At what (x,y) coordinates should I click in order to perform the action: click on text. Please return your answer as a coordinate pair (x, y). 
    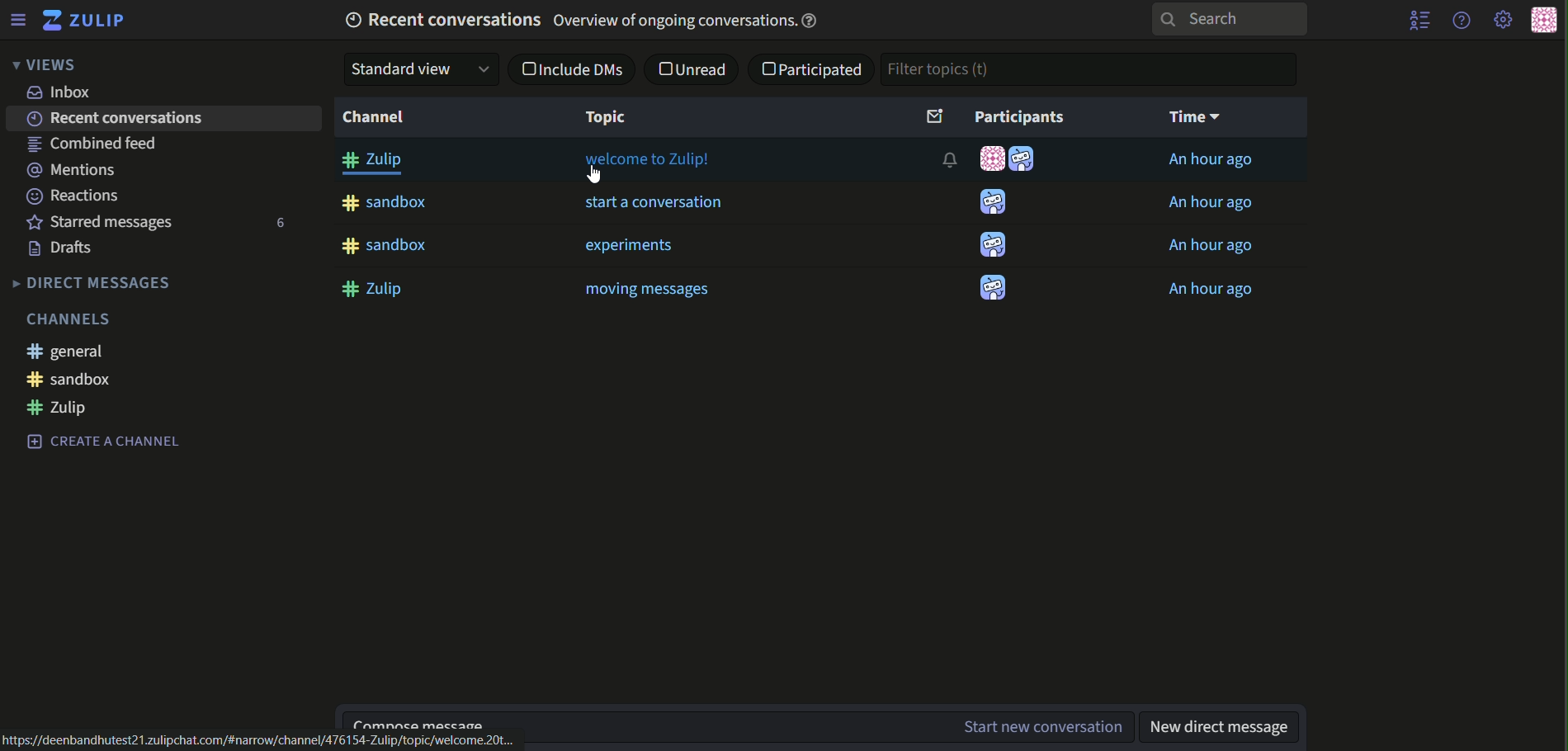
    Looking at the image, I should click on (101, 145).